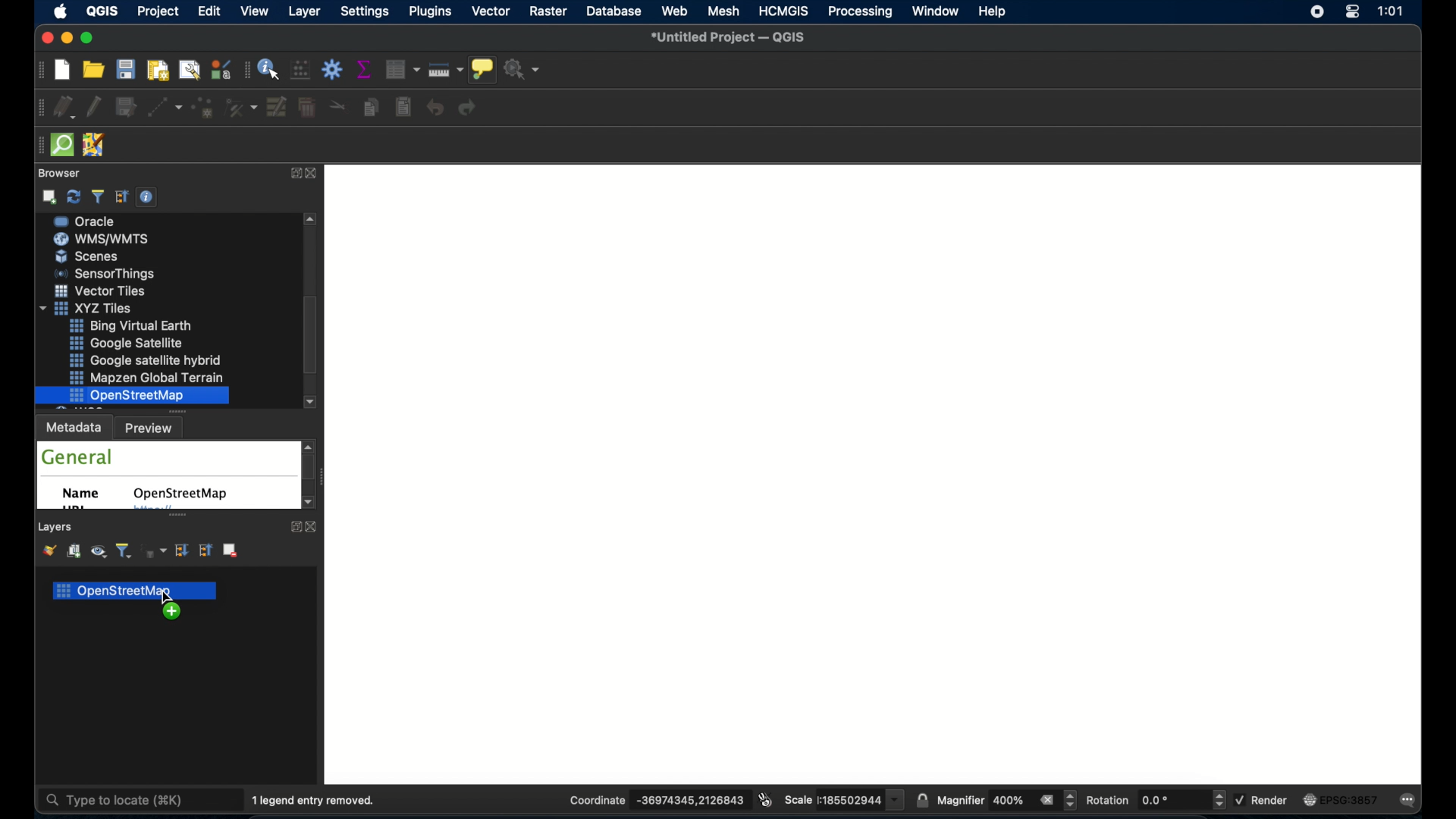 This screenshot has height=819, width=1456. What do you see at coordinates (152, 510) in the screenshot?
I see `obscured text` at bounding box center [152, 510].